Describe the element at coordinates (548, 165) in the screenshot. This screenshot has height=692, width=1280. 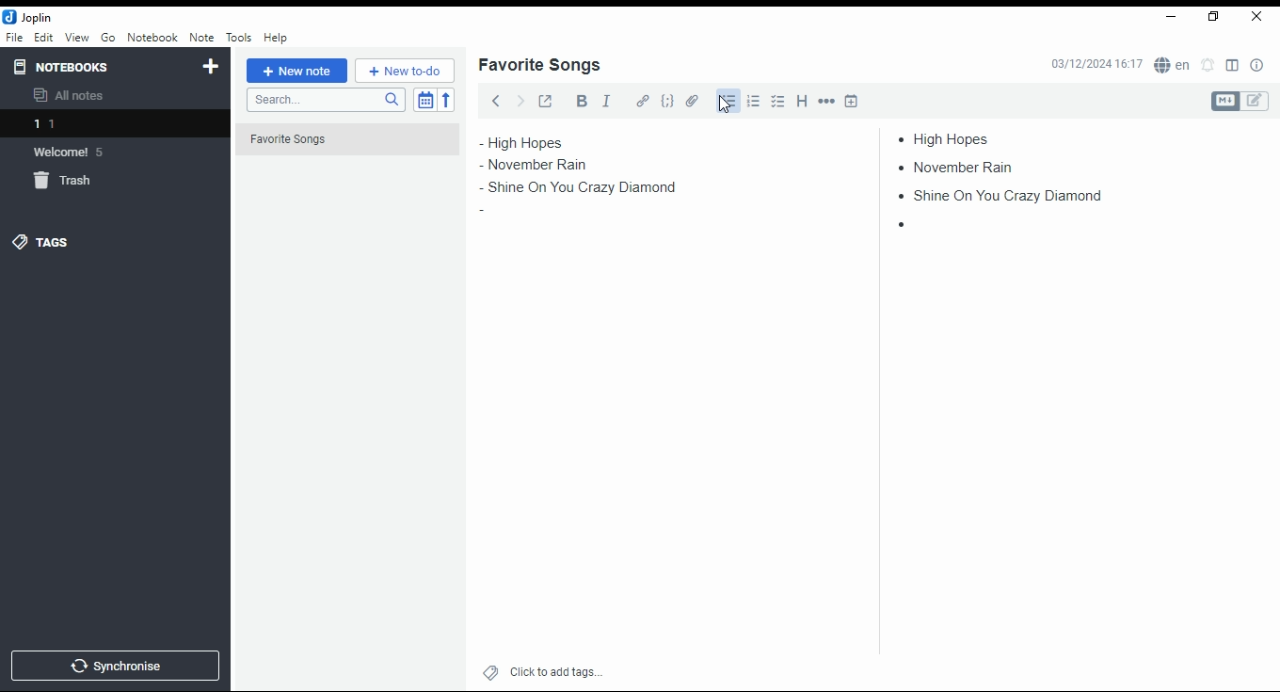
I see `november rain` at that location.